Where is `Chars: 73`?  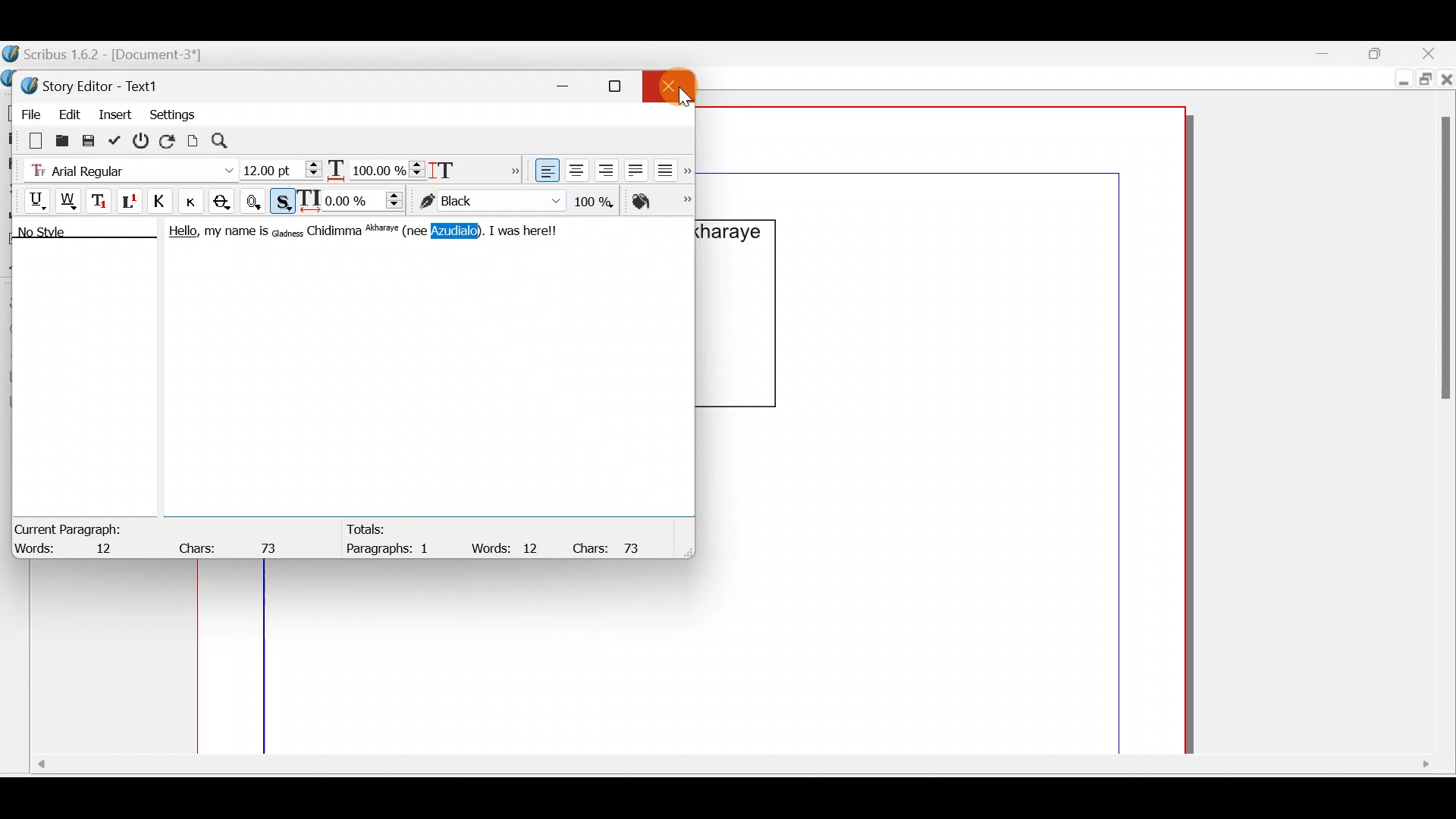
Chars: 73 is located at coordinates (232, 544).